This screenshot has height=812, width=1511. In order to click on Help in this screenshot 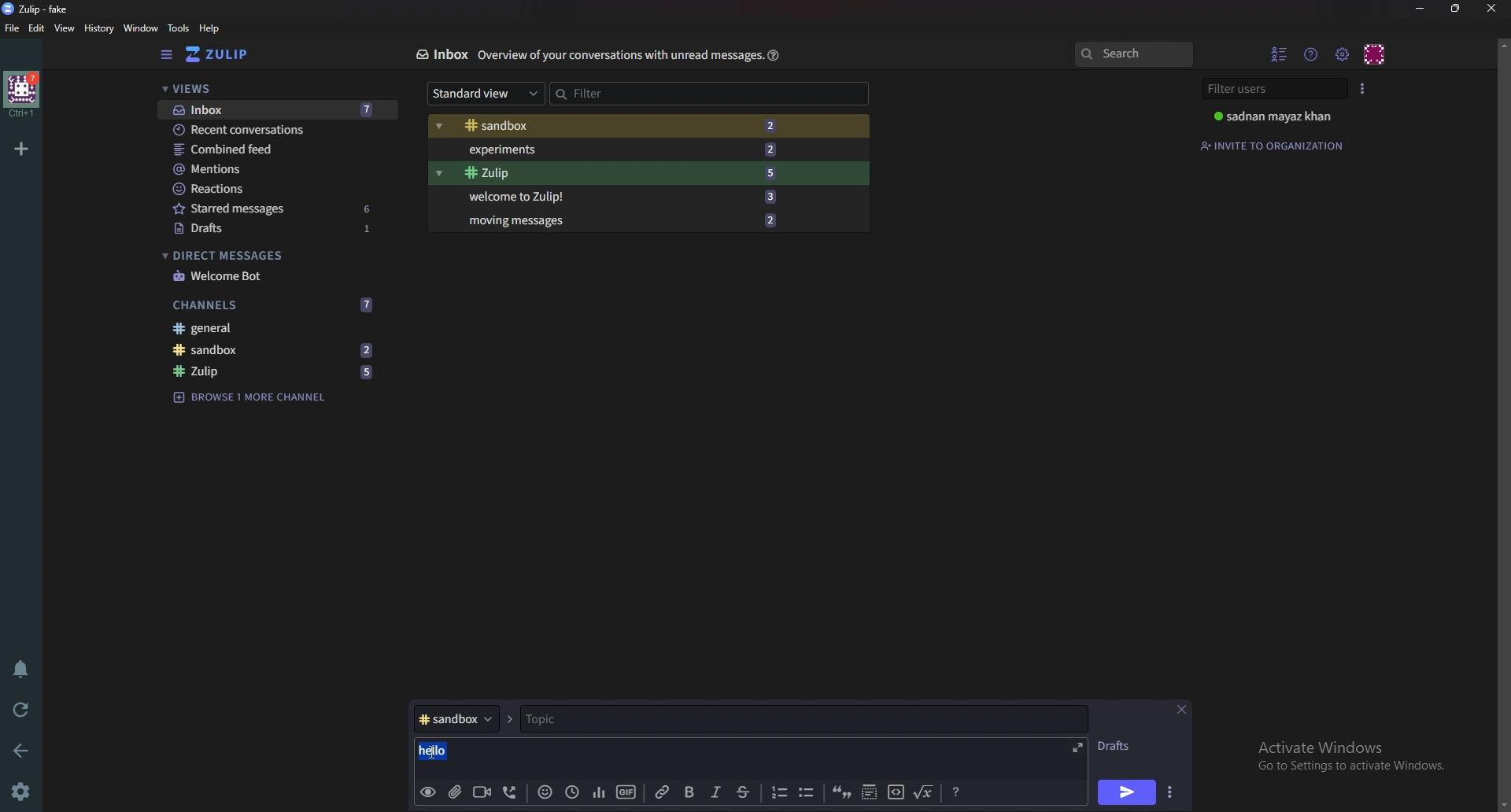, I will do `click(775, 54)`.